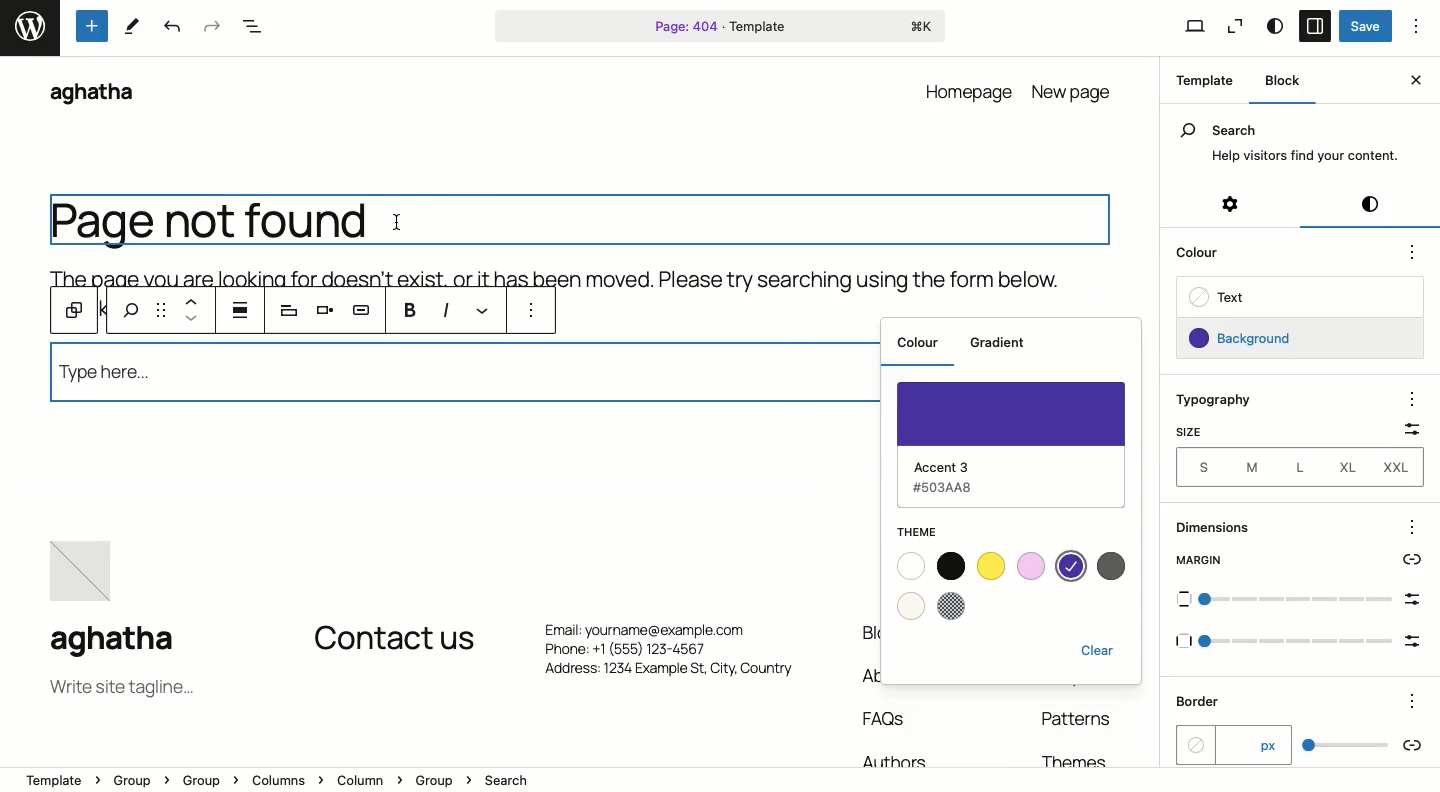  Describe the element at coordinates (120, 689) in the screenshot. I see `Tagline` at that location.